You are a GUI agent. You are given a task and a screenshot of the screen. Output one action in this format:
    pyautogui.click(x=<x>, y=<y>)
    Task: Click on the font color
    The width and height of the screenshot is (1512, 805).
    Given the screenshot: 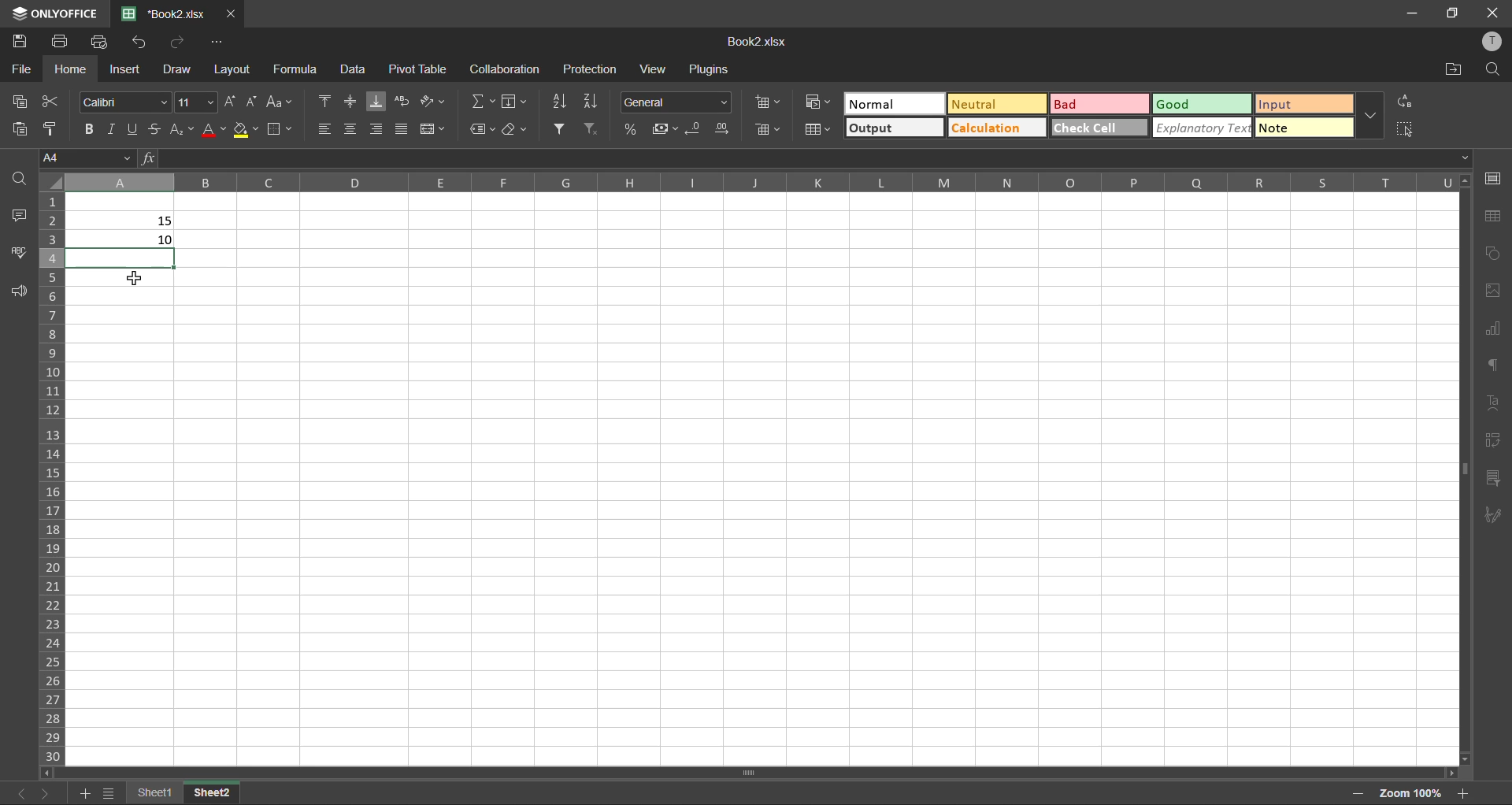 What is the action you would take?
    pyautogui.click(x=213, y=127)
    